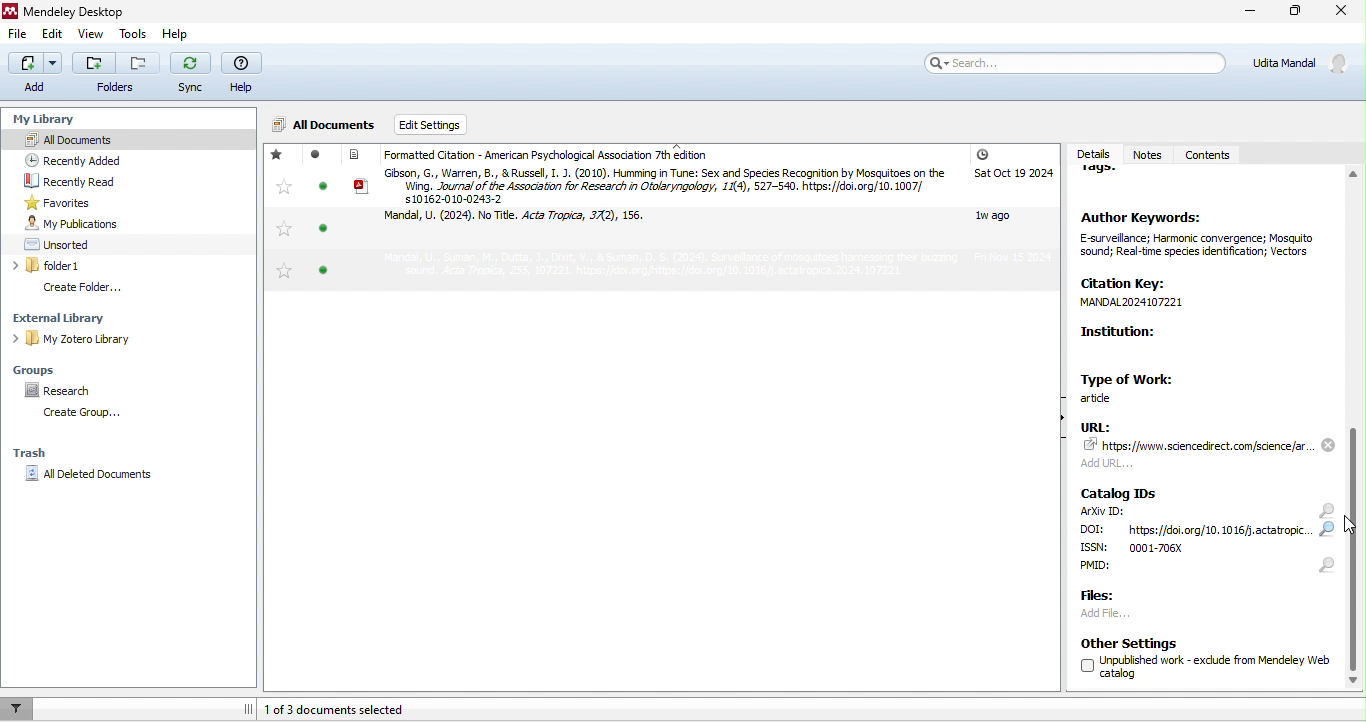 This screenshot has width=1366, height=722. What do you see at coordinates (1012, 207) in the screenshot?
I see `added date` at bounding box center [1012, 207].